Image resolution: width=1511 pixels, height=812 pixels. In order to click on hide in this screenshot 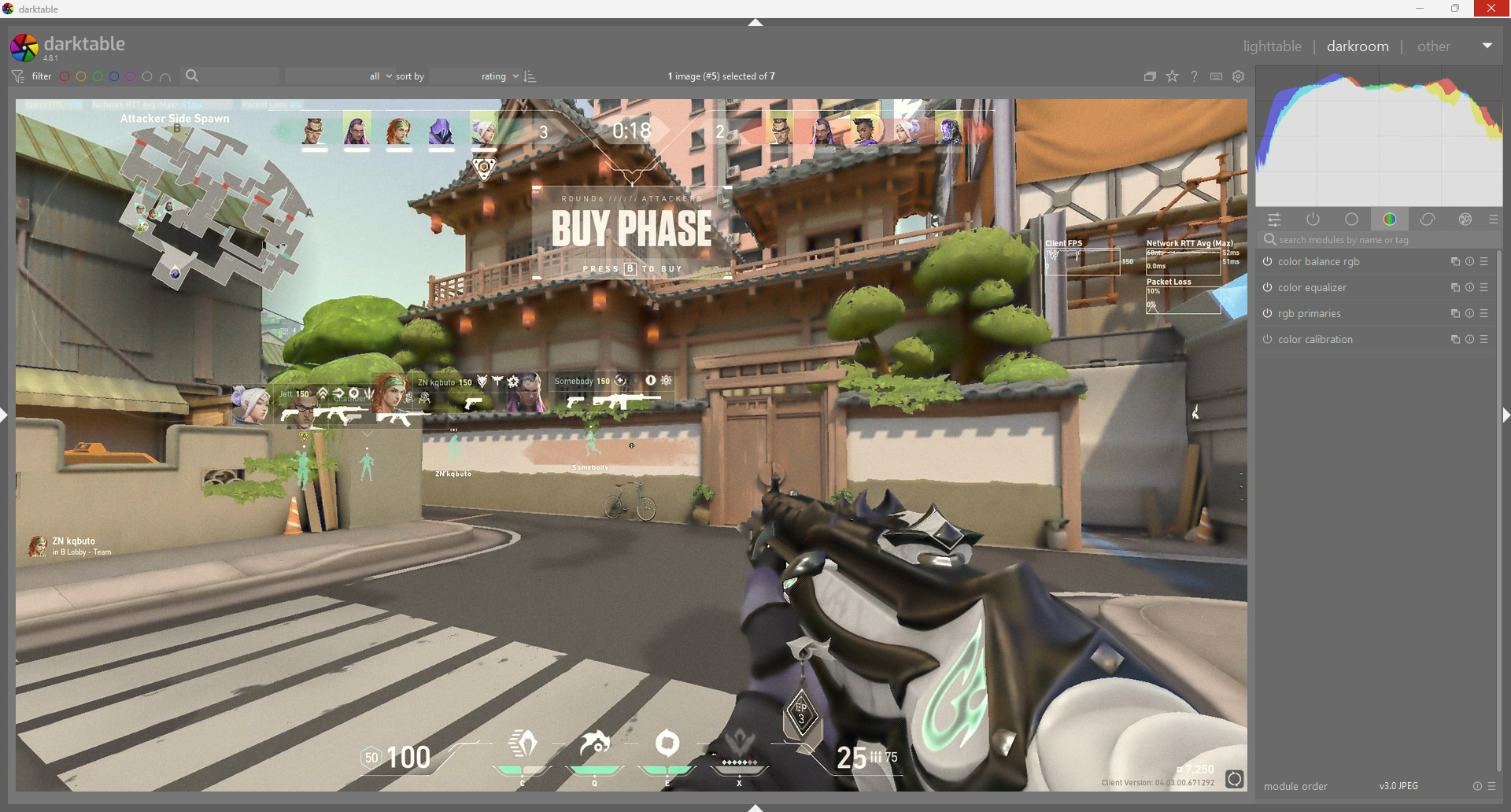, I will do `click(756, 23)`.